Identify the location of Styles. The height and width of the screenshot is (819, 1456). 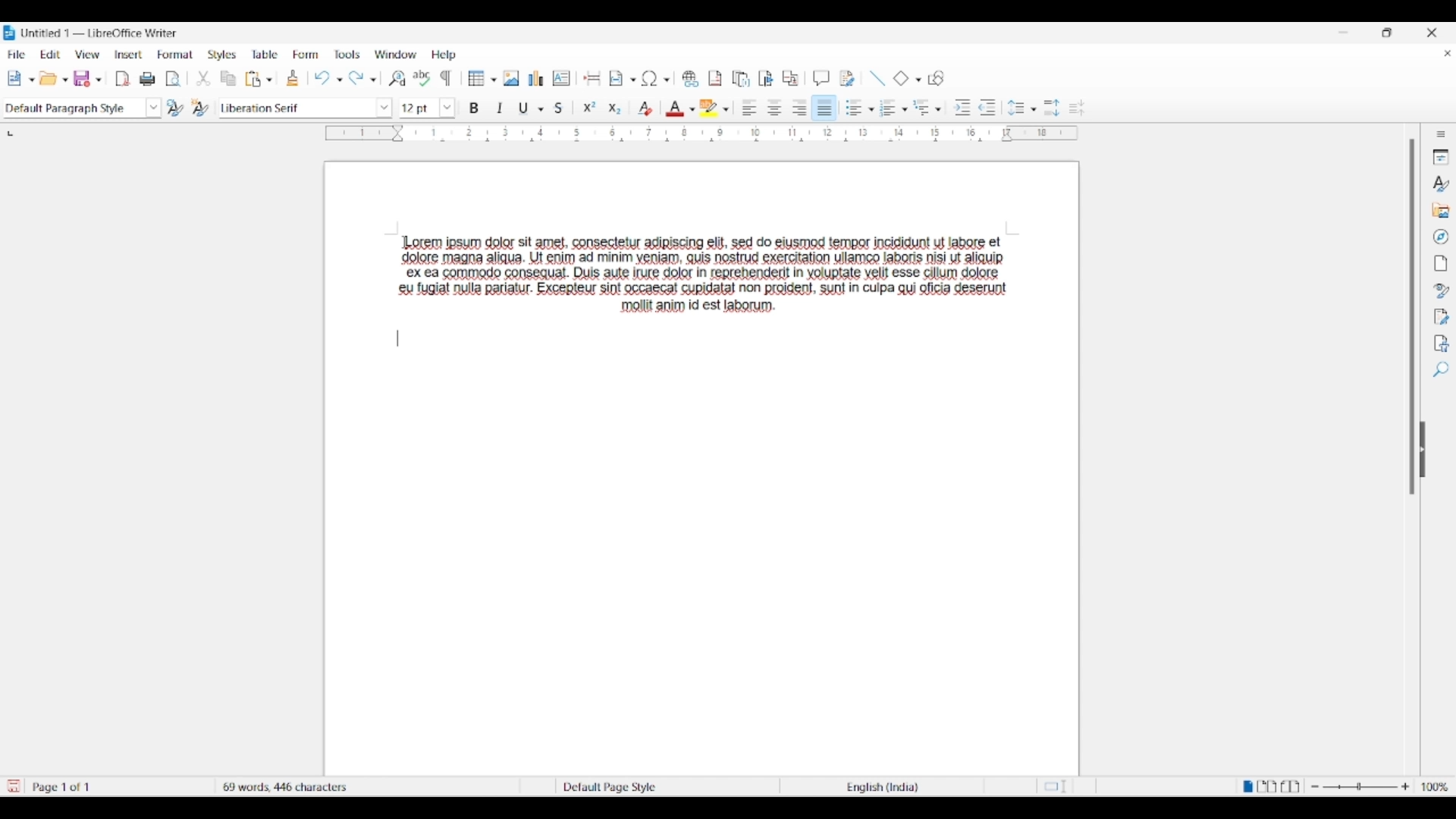
(221, 55).